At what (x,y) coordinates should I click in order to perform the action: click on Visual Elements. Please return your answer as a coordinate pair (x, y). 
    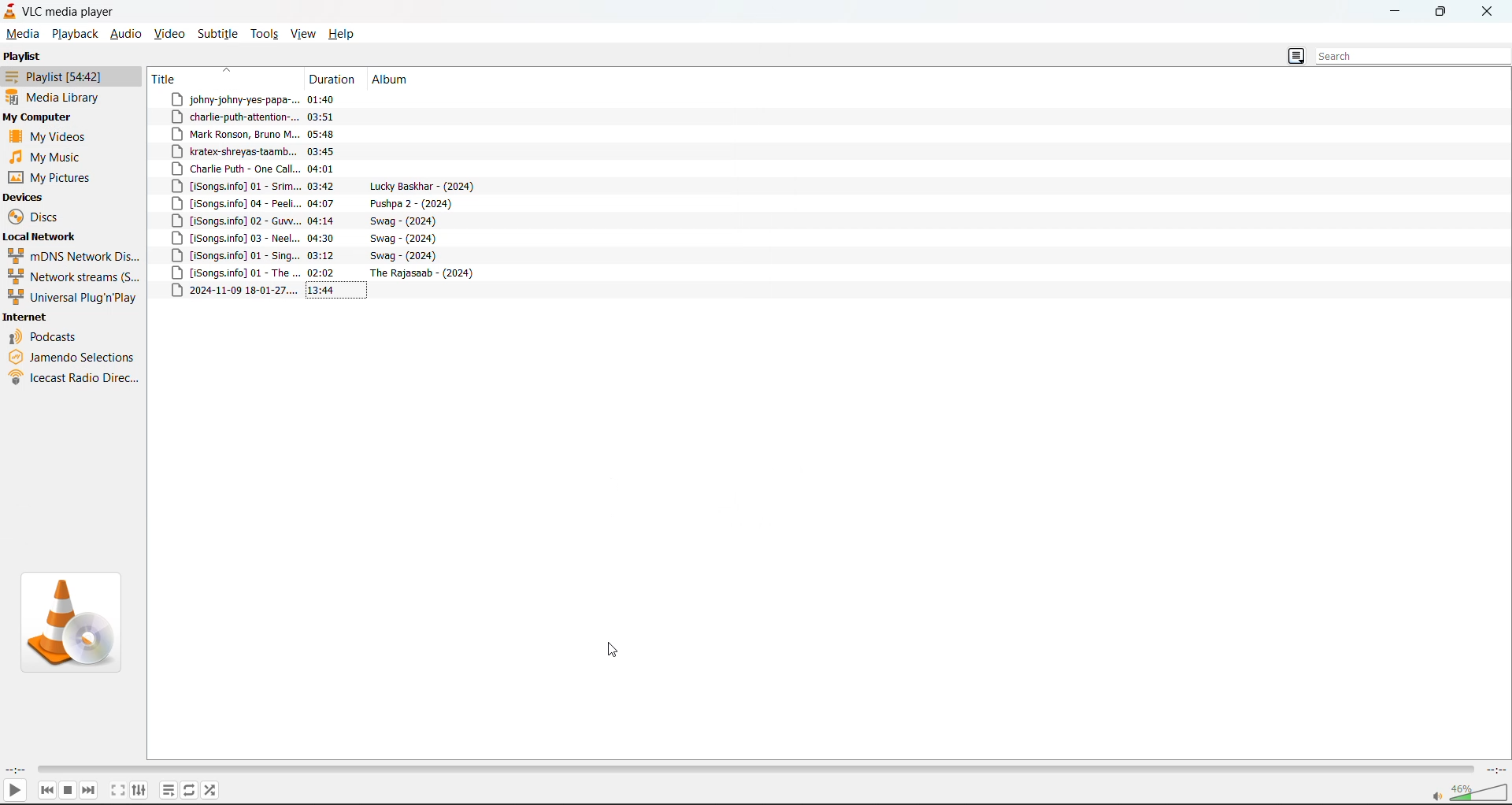
    Looking at the image, I should click on (1470, 789).